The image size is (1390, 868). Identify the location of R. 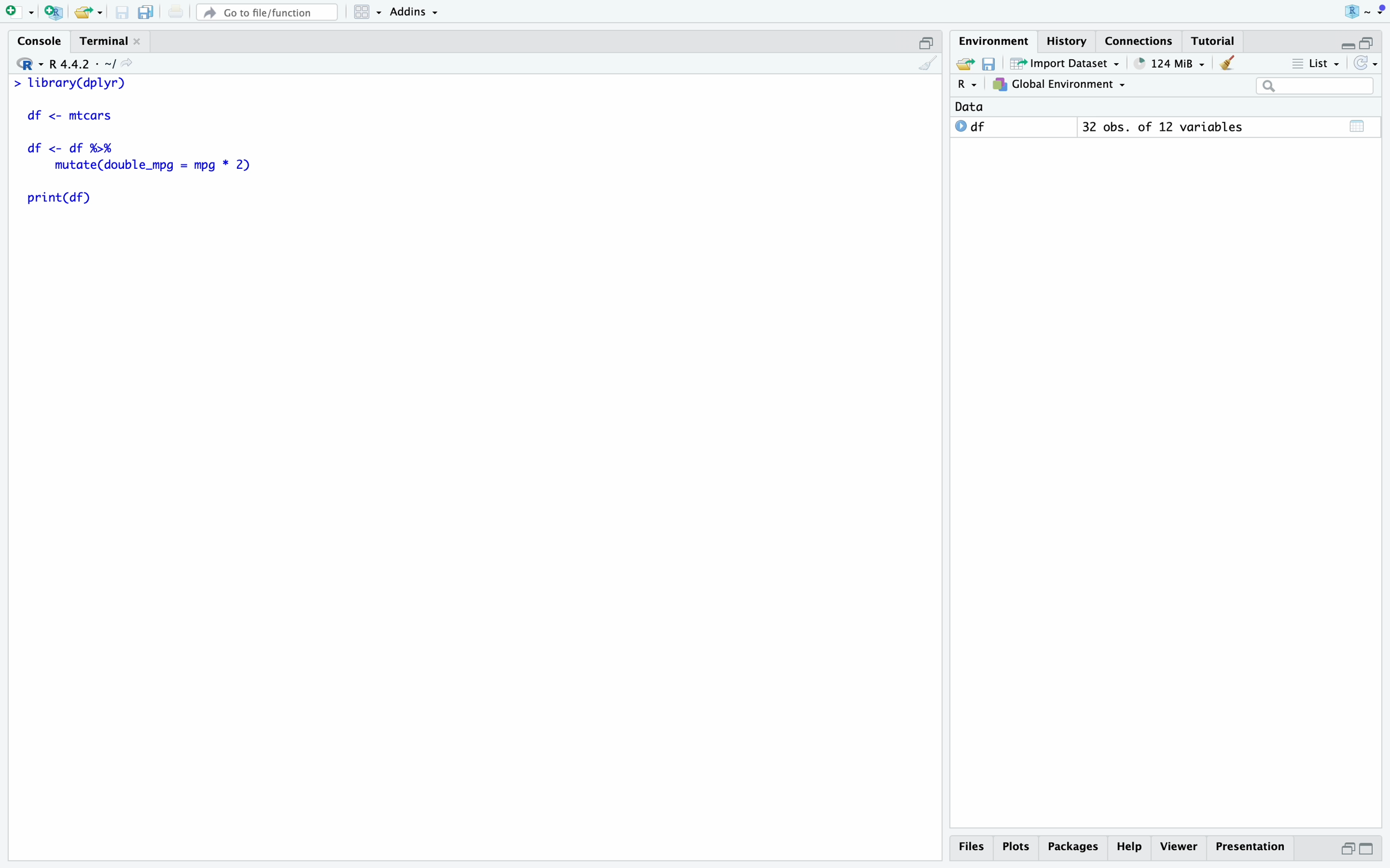
(30, 64).